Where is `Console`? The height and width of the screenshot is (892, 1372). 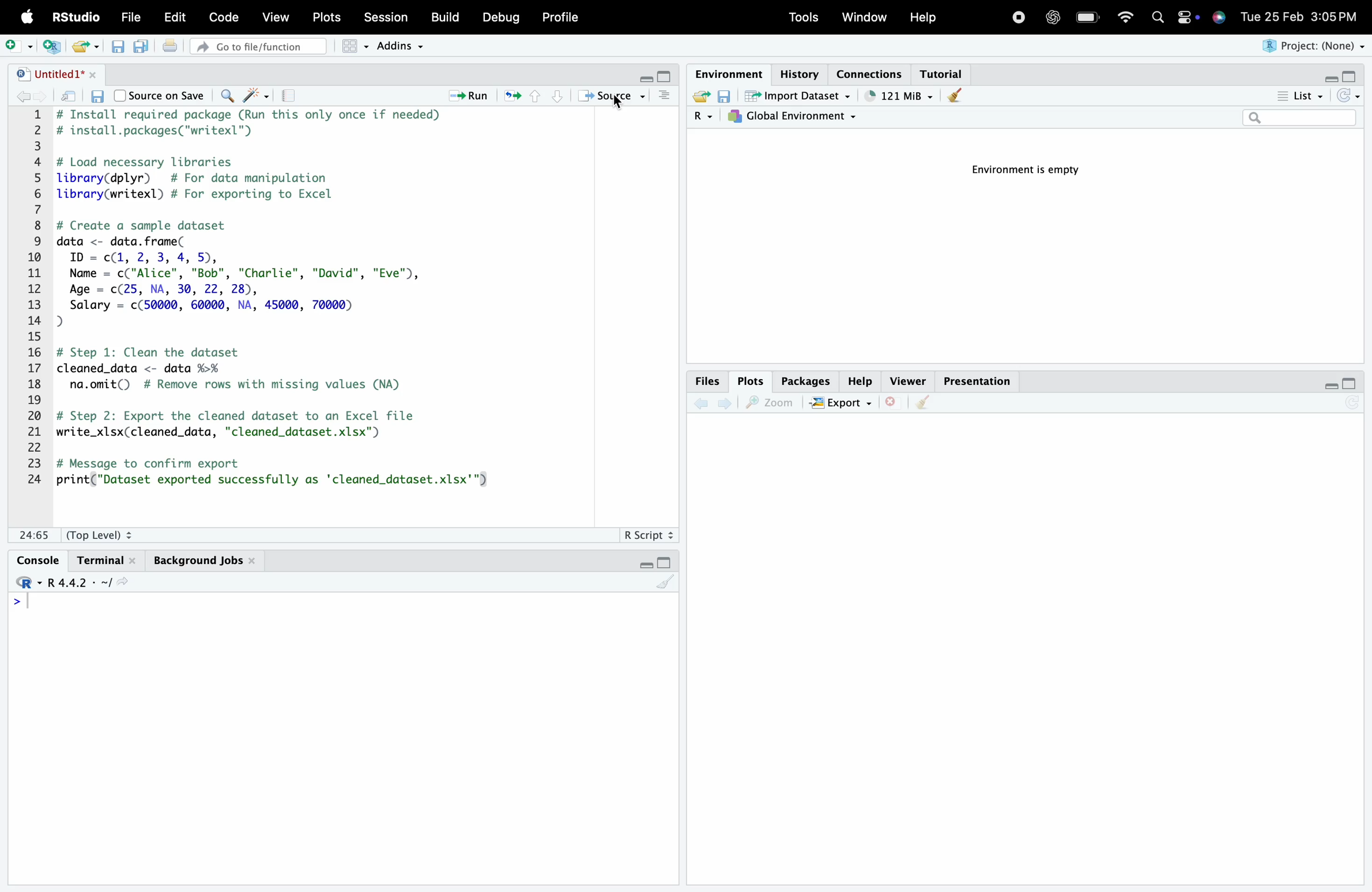 Console is located at coordinates (42, 561).